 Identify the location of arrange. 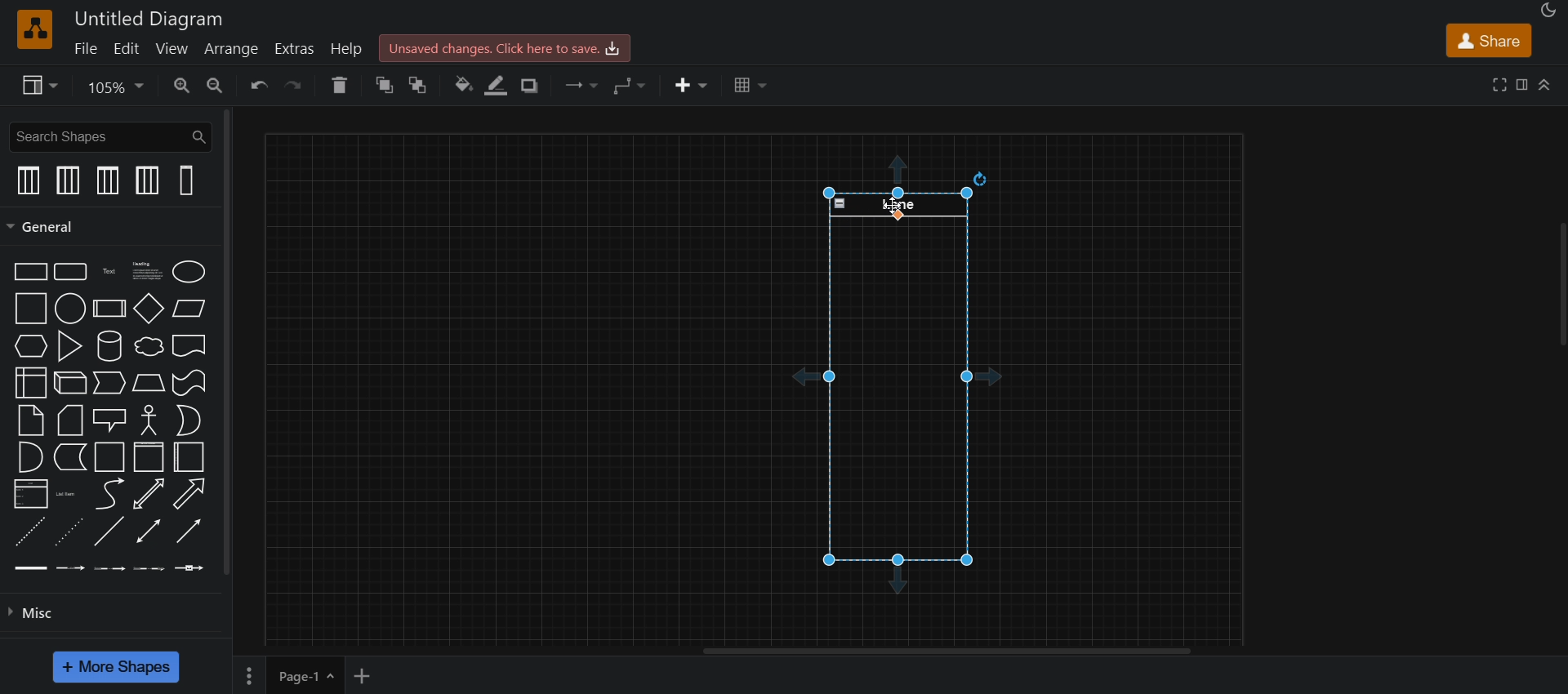
(229, 47).